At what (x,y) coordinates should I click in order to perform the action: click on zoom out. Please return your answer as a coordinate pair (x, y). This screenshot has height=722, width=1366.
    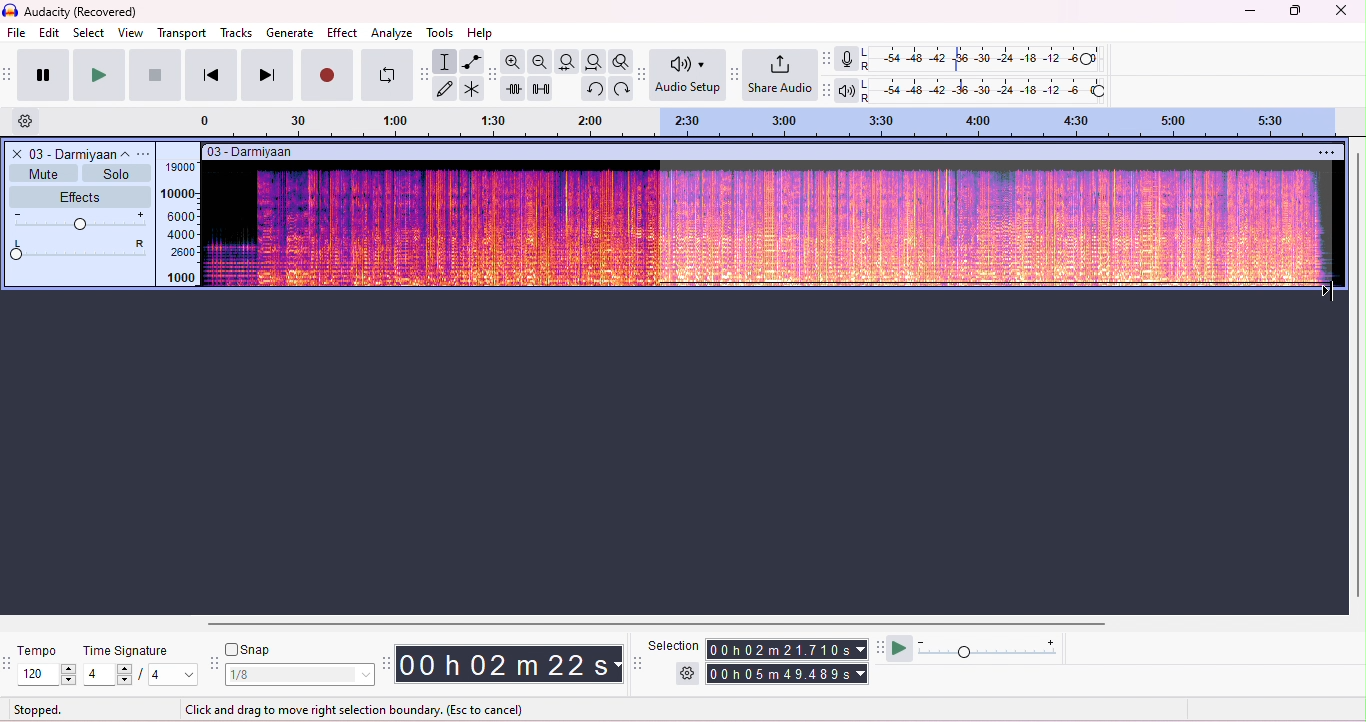
    Looking at the image, I should click on (541, 61).